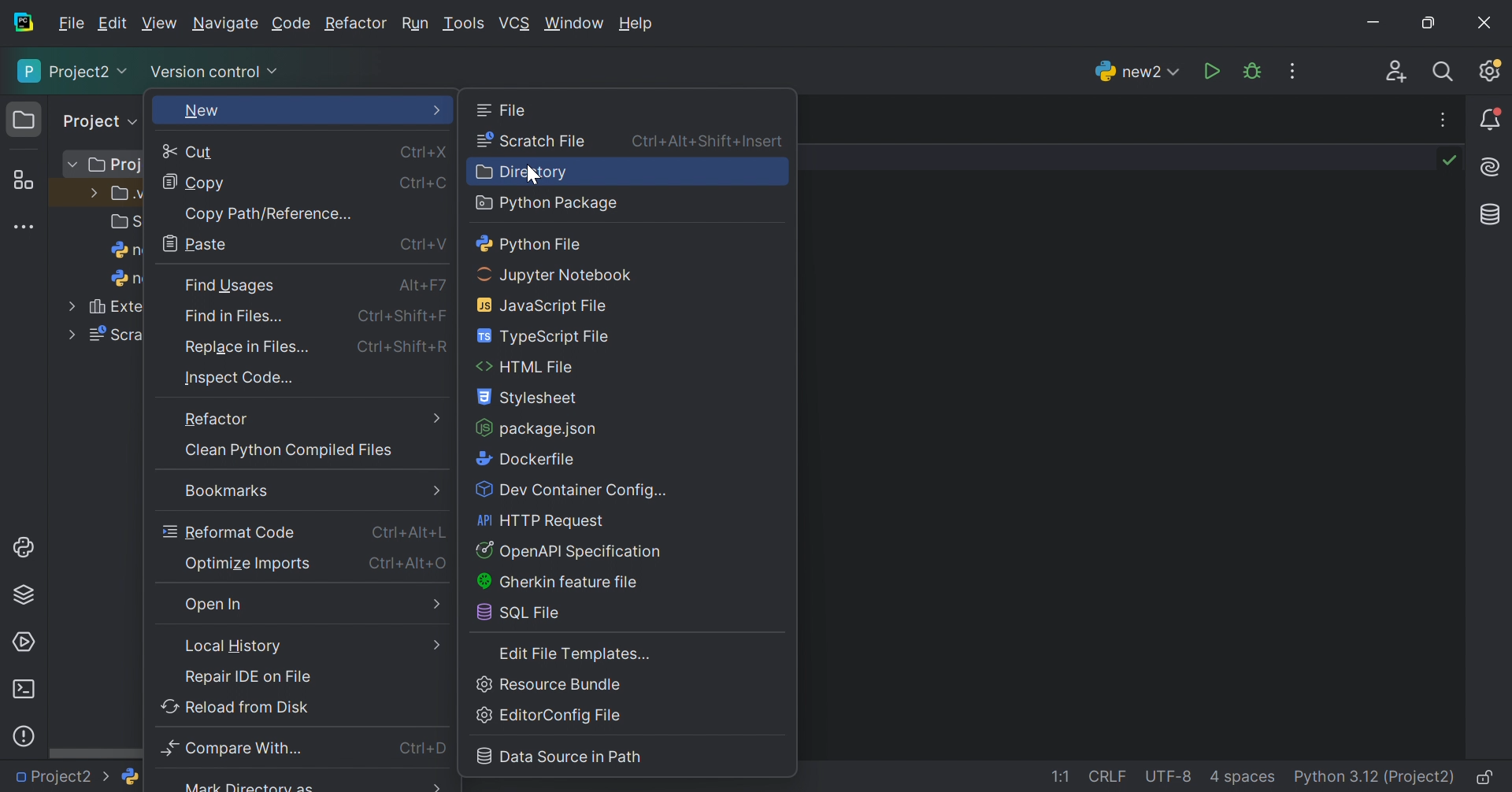 This screenshot has height=792, width=1512. Describe the element at coordinates (404, 349) in the screenshot. I see `Ctrl+Shift+R` at that location.